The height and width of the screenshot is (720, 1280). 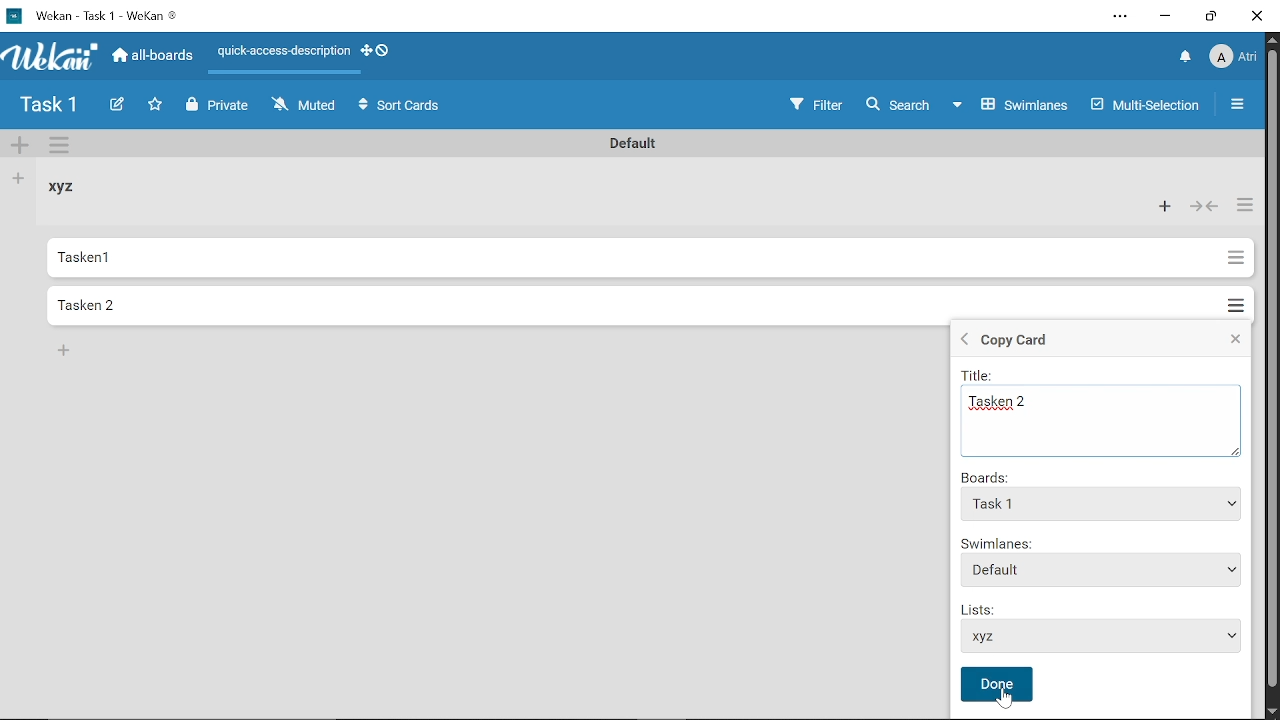 What do you see at coordinates (378, 51) in the screenshot?
I see `Show desktop drag handles` at bounding box center [378, 51].